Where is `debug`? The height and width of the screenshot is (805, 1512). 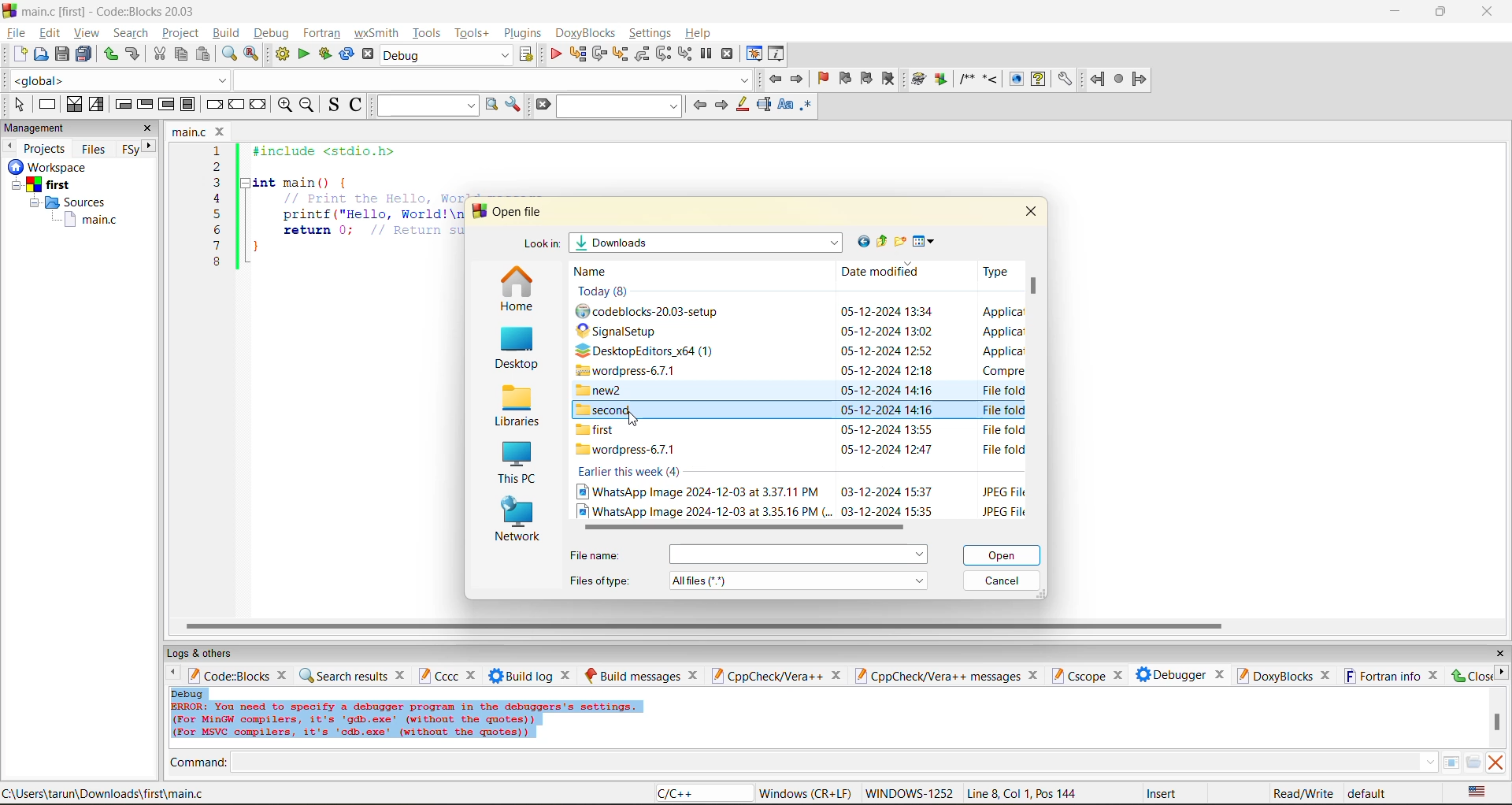 debug is located at coordinates (188, 693).